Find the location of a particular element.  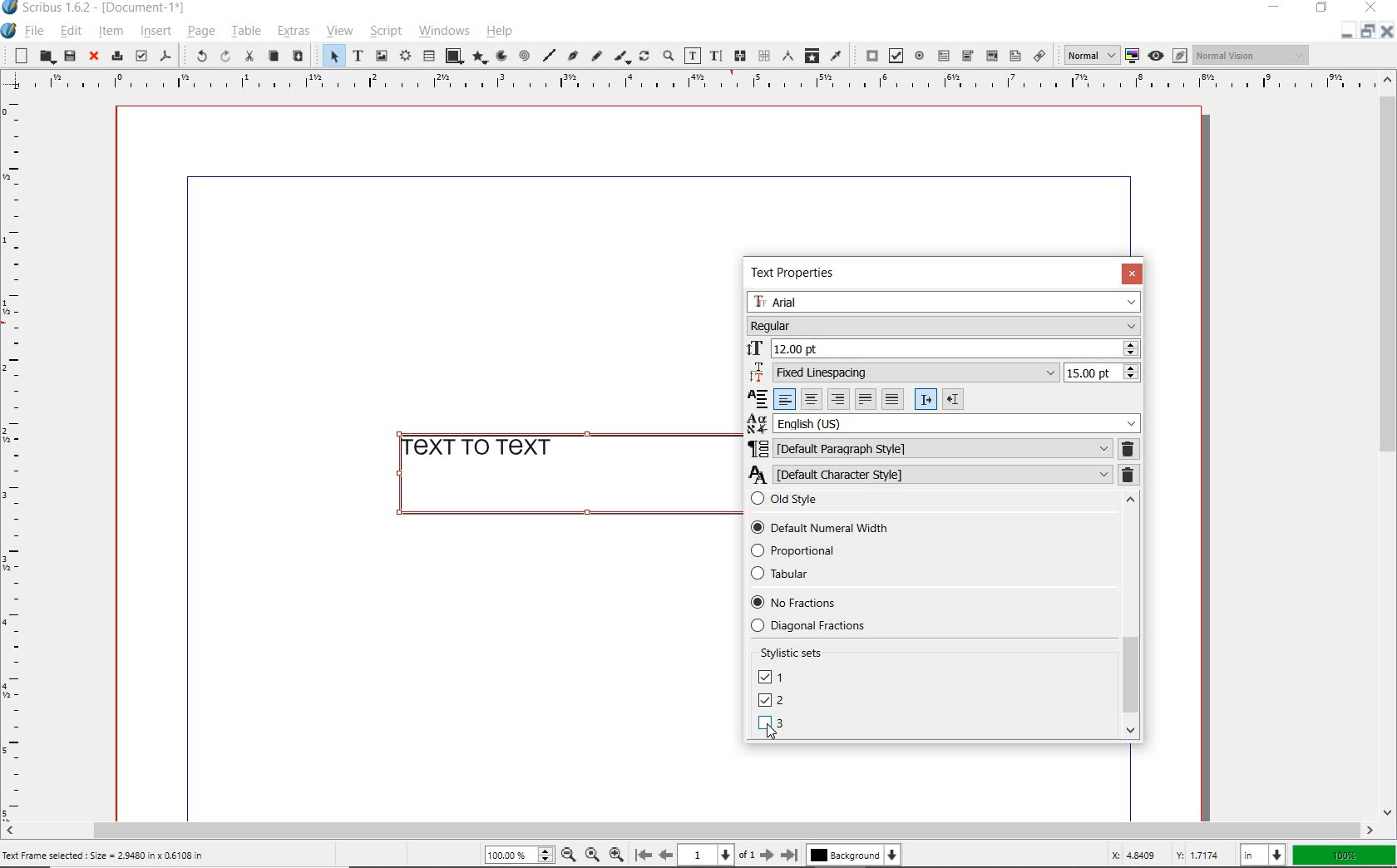

SCROLLBAR is located at coordinates (1132, 616).